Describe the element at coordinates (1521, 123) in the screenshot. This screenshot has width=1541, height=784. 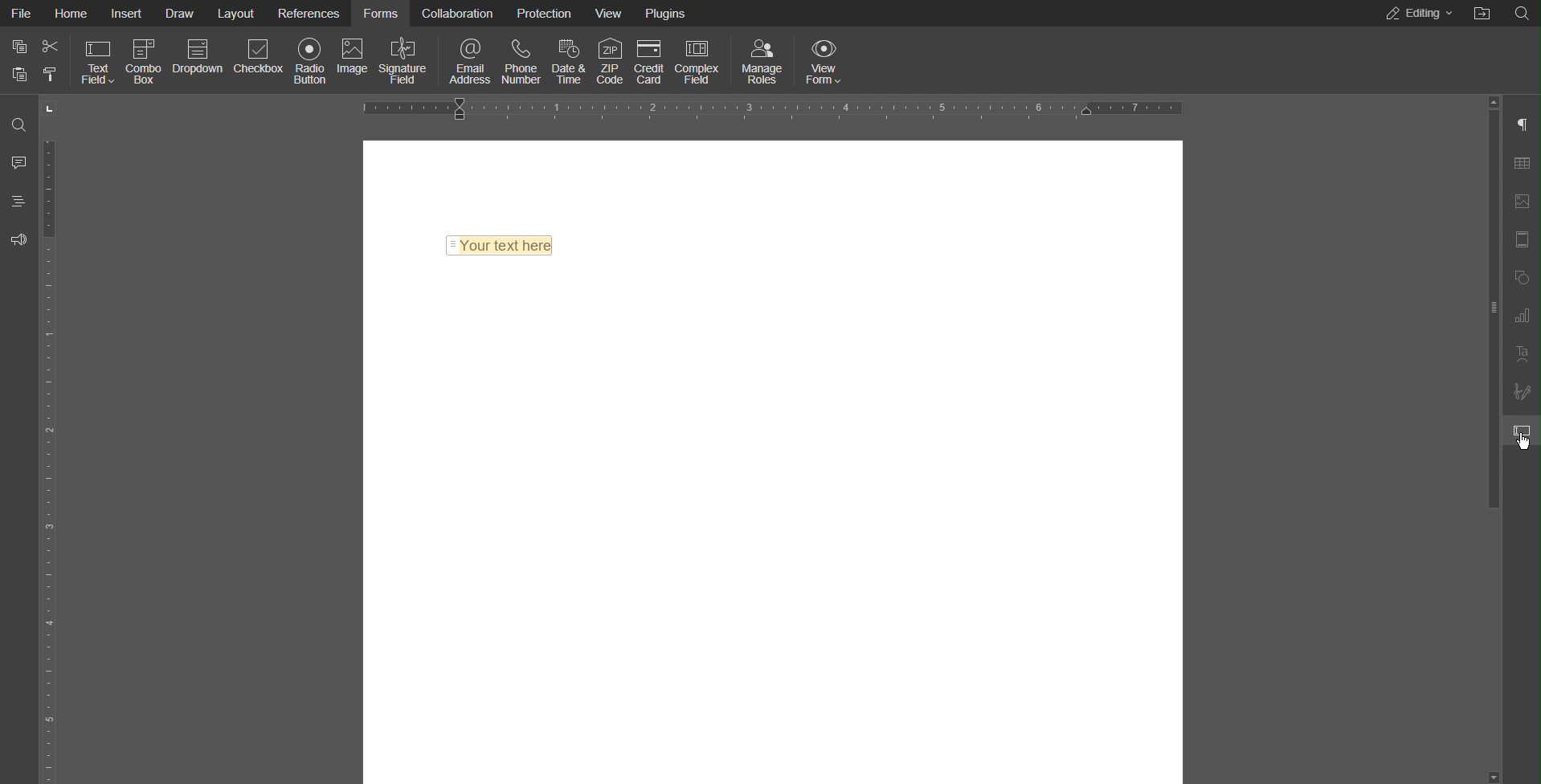
I see `Paragraph Settings` at that location.